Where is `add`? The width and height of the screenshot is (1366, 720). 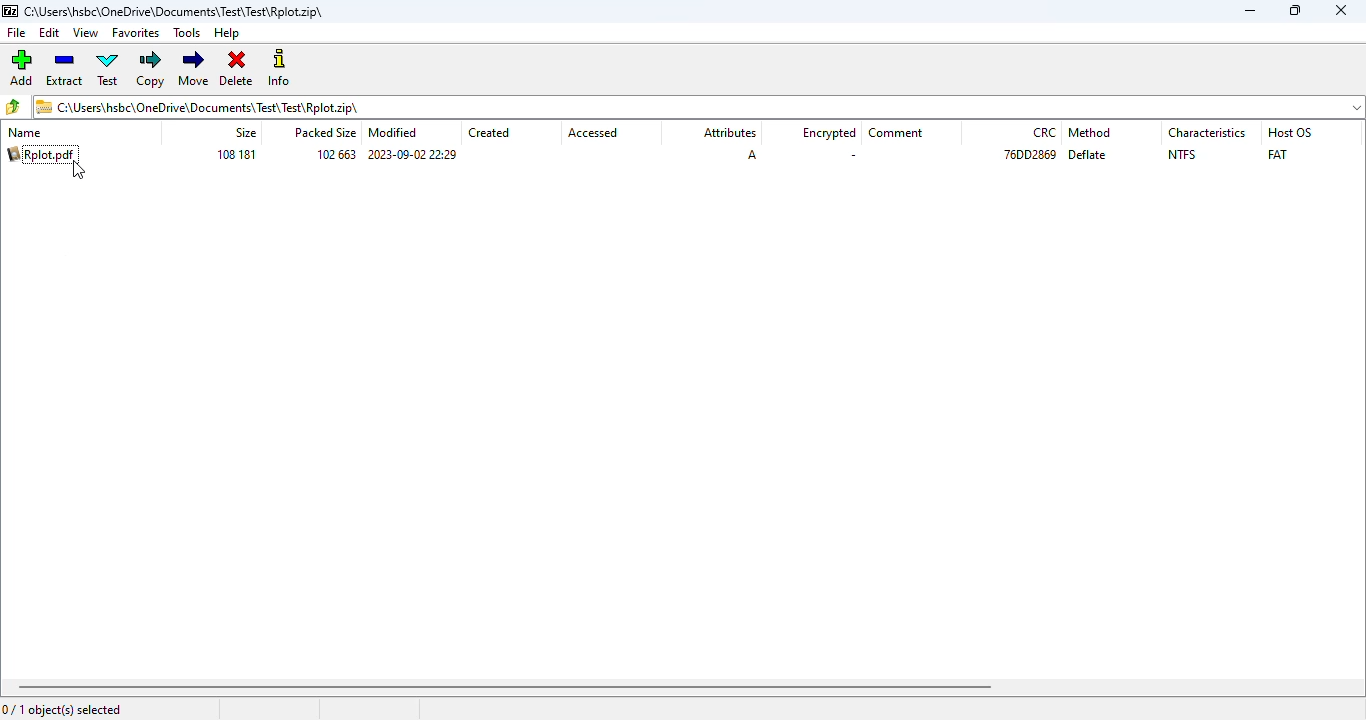 add is located at coordinates (22, 68).